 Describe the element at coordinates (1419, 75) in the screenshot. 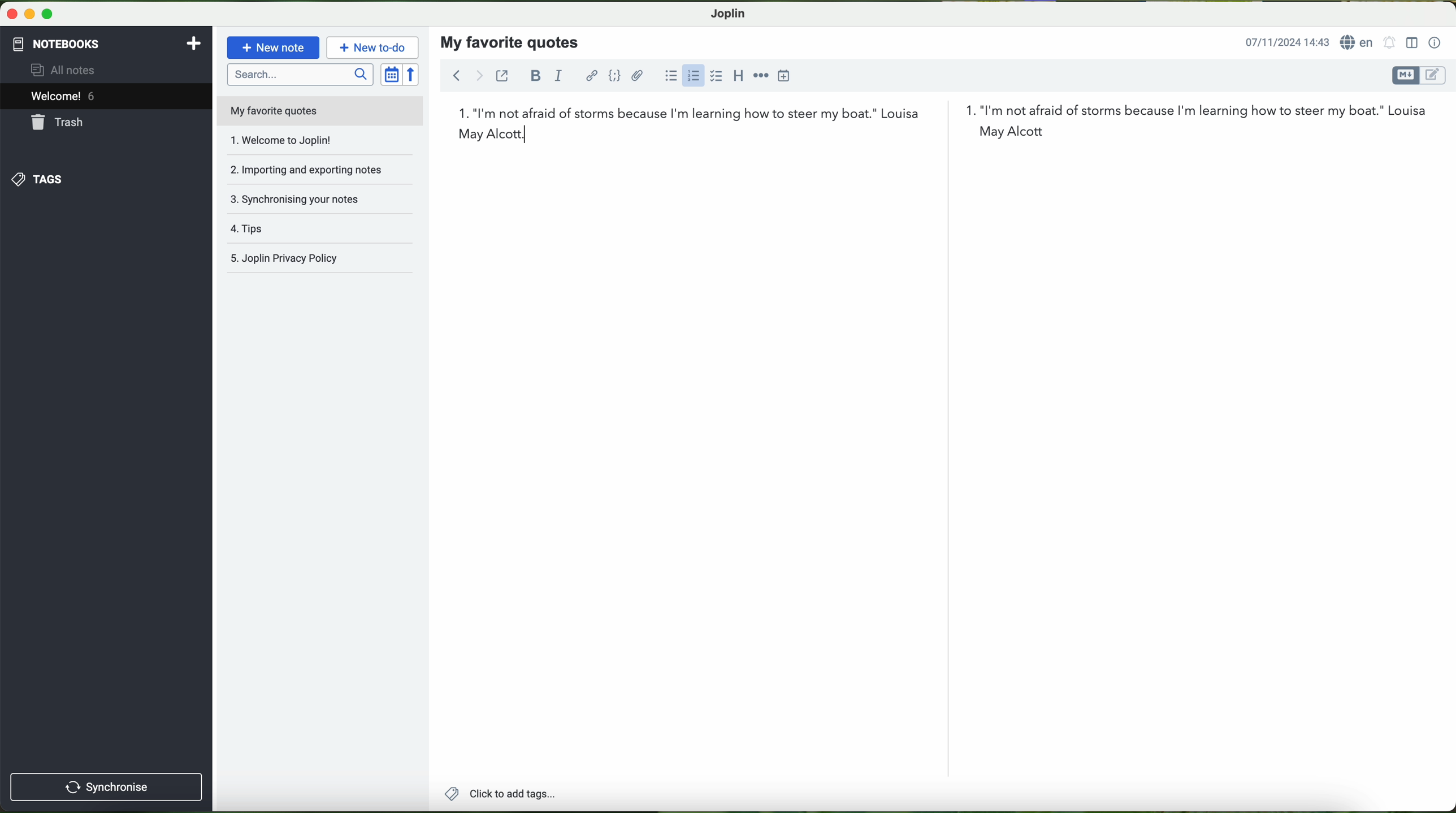

I see `toggle editor` at that location.